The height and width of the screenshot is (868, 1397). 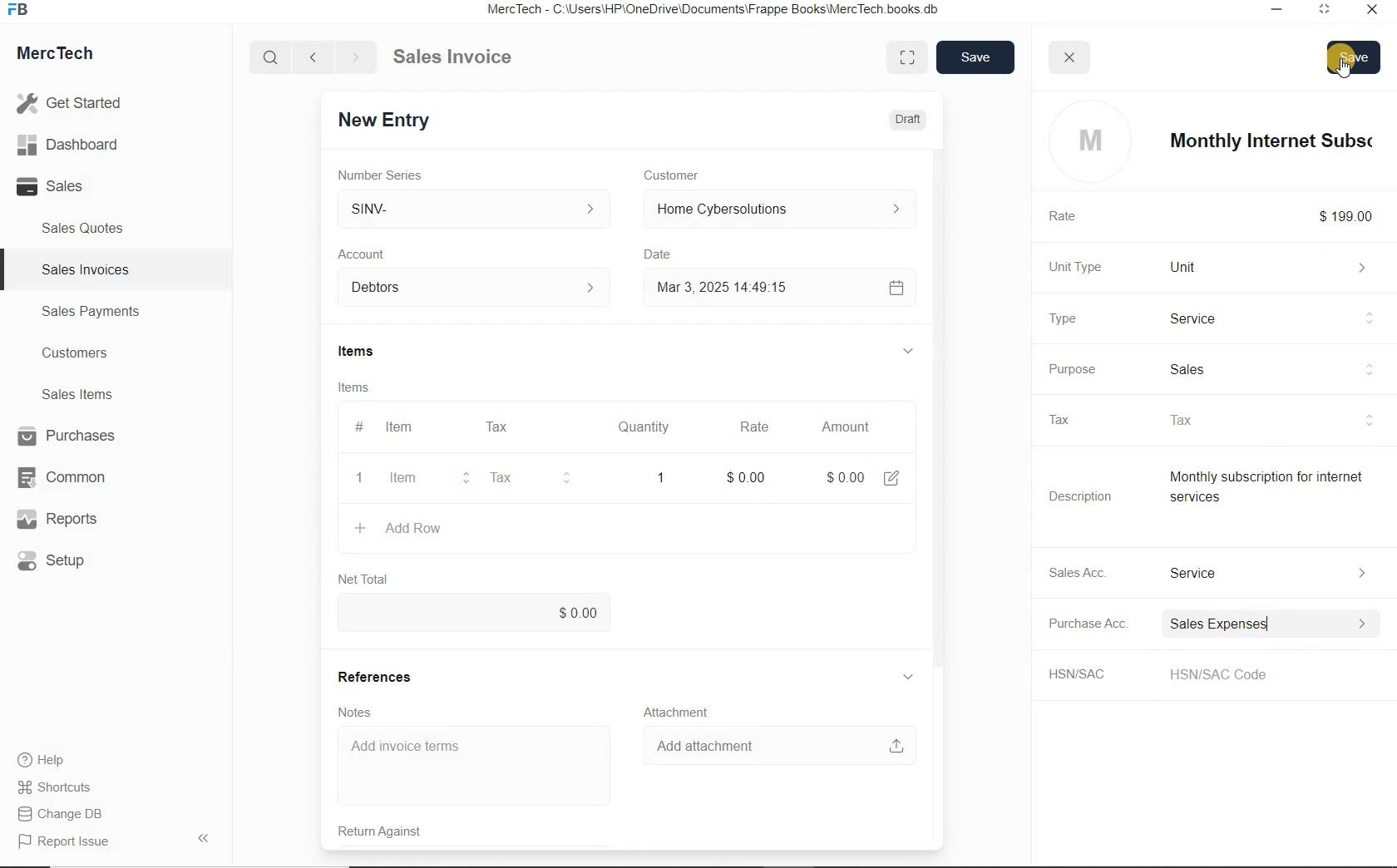 What do you see at coordinates (407, 480) in the screenshot?
I see `item` at bounding box center [407, 480].